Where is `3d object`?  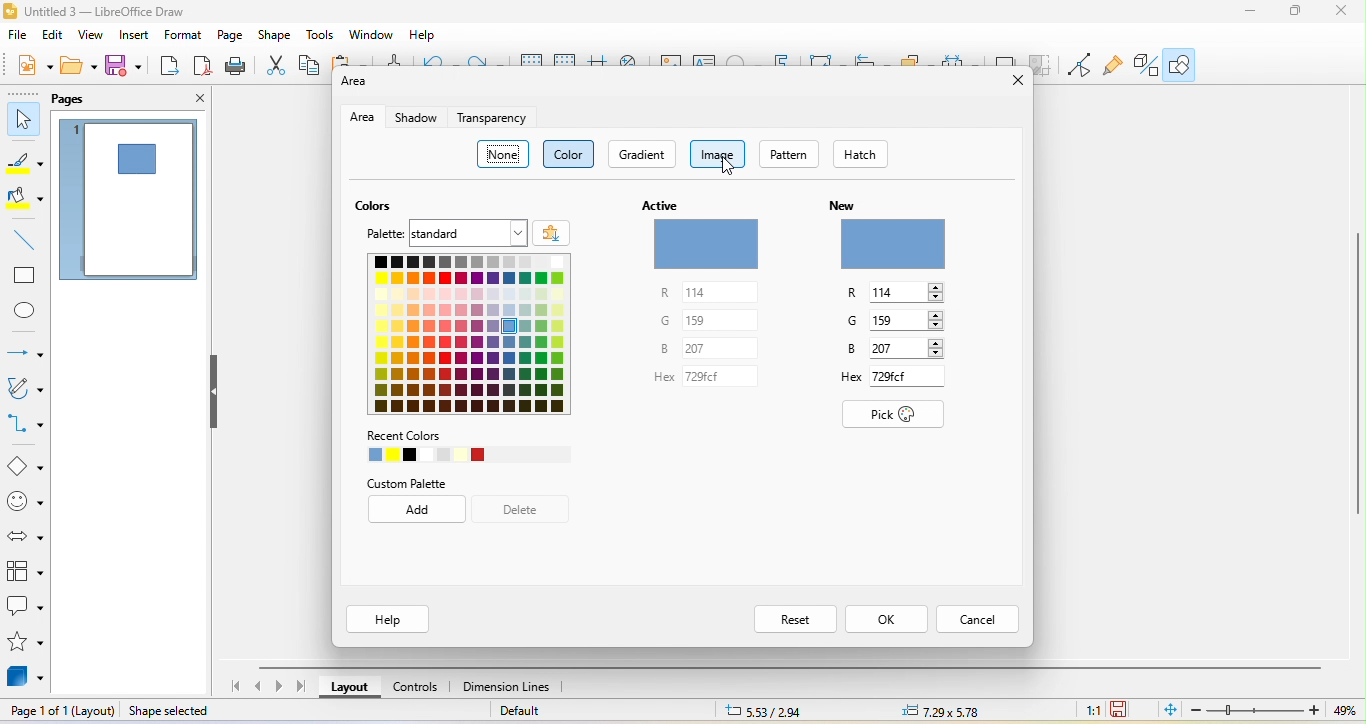
3d object is located at coordinates (27, 678).